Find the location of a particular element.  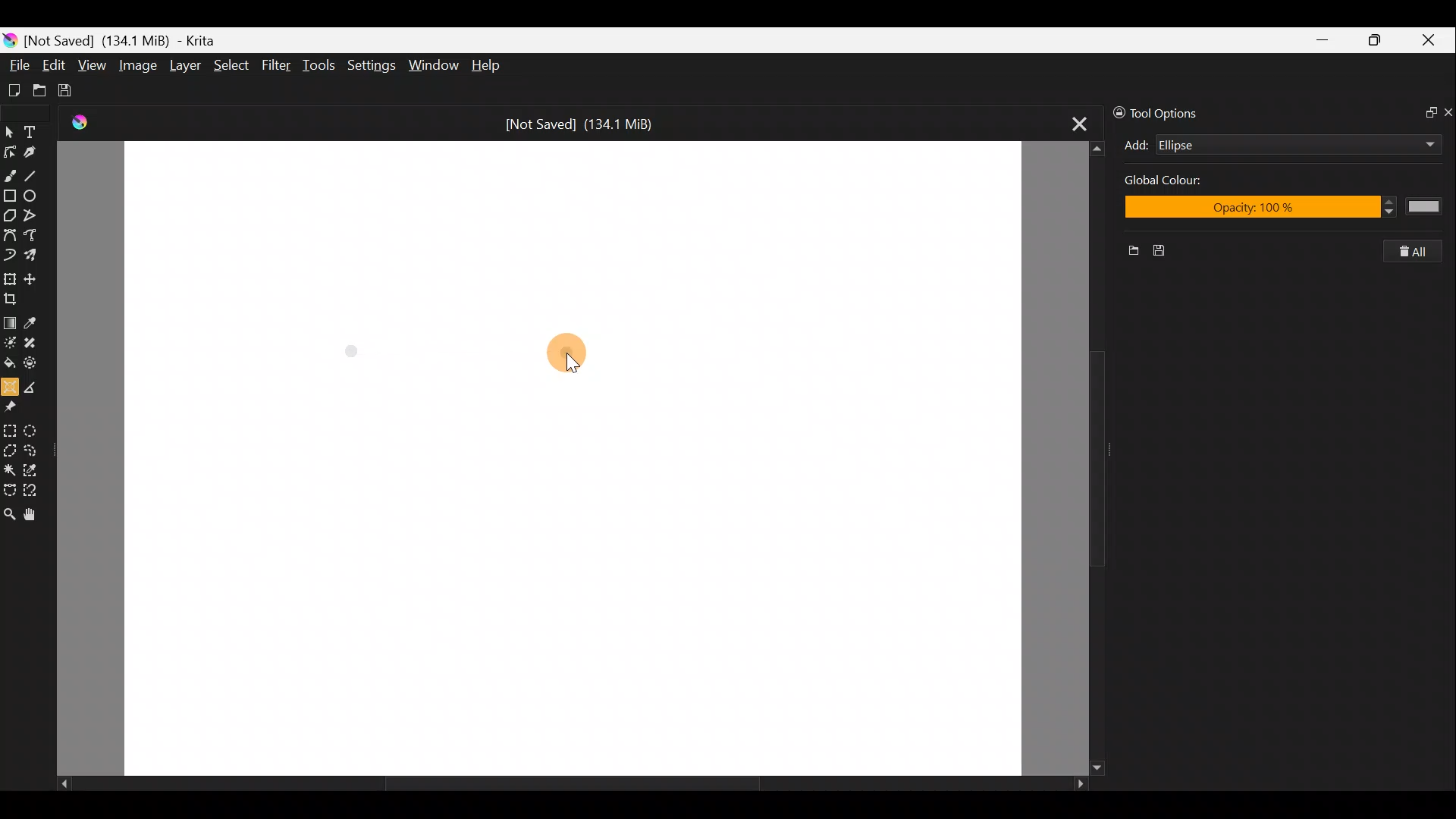

Ellipse is located at coordinates (1274, 145).